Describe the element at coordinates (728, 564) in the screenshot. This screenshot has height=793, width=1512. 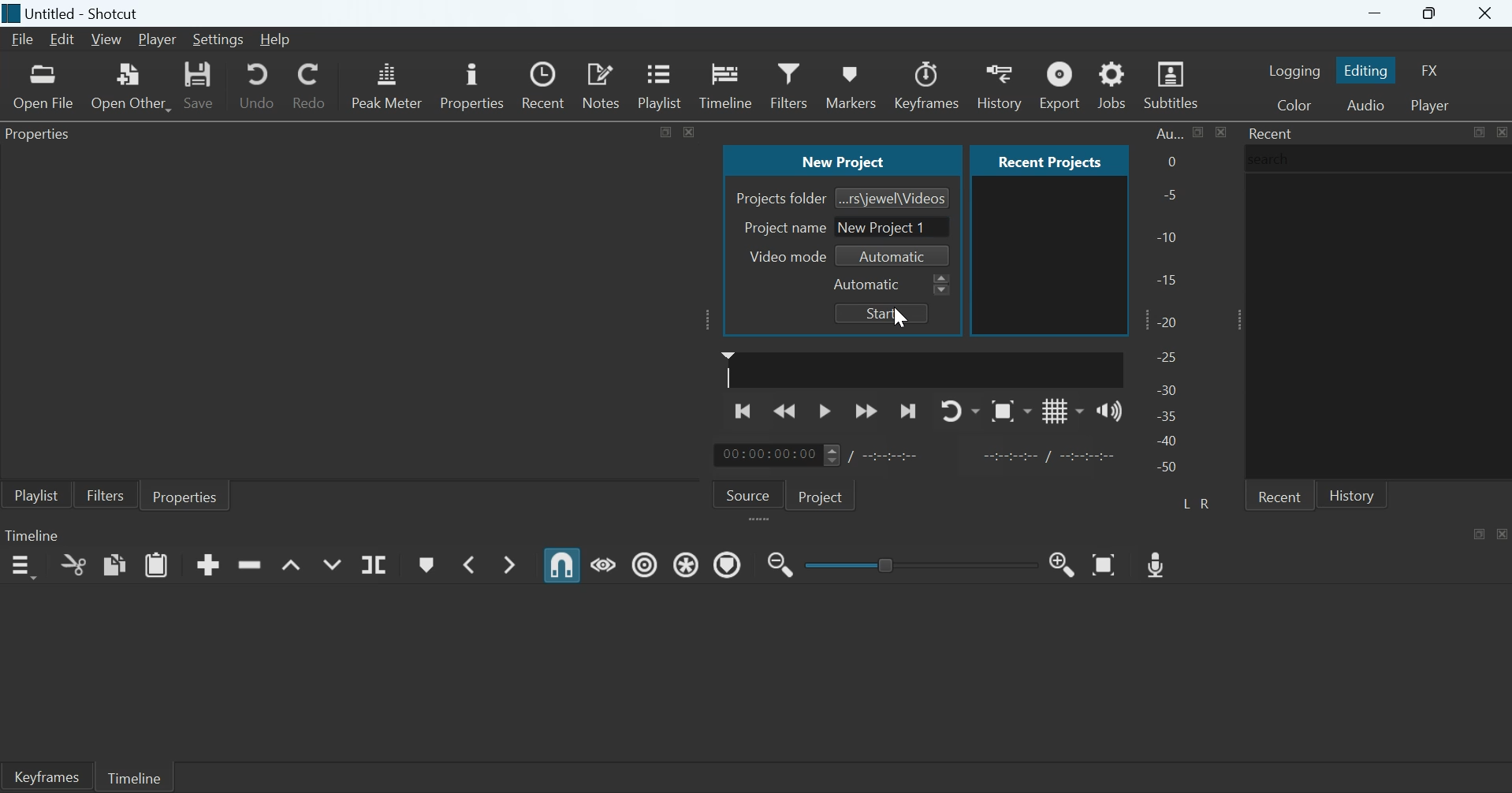
I see `Ripple markers` at that location.